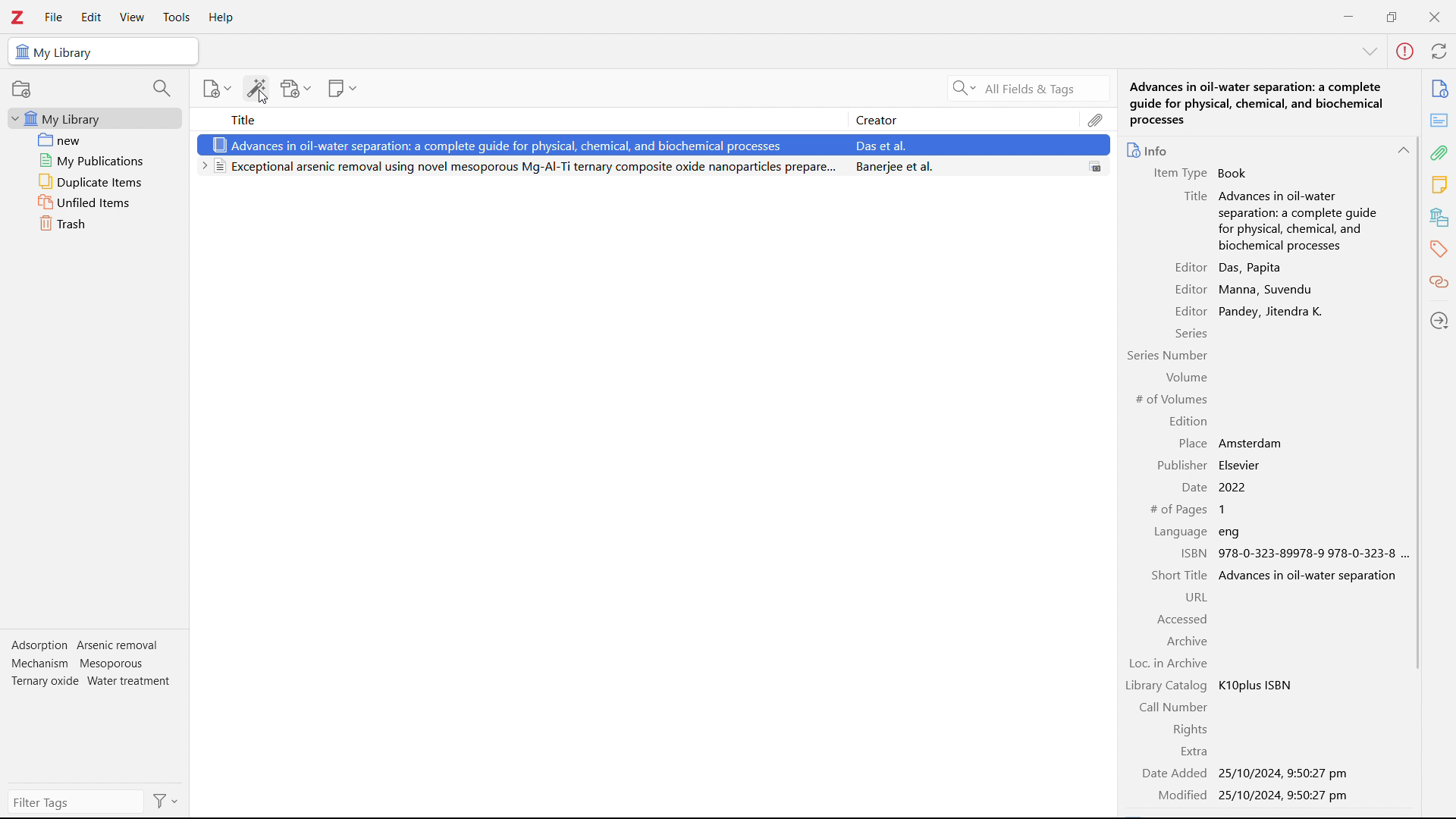 This screenshot has width=1456, height=819. Describe the element at coordinates (1025, 89) in the screenshot. I see `search all fields & tags` at that location.